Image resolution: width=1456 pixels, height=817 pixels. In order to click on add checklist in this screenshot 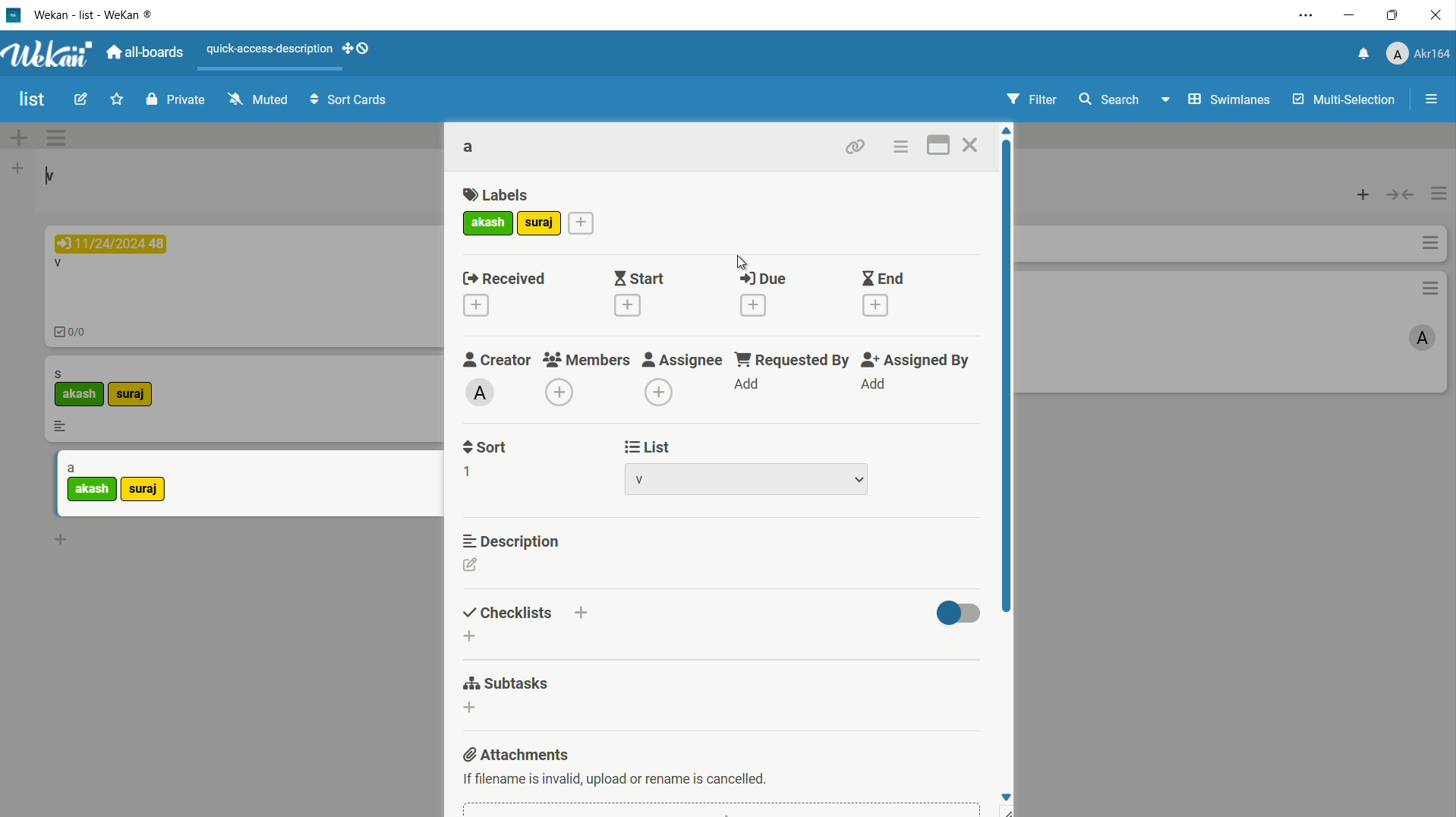, I will do `click(581, 614)`.